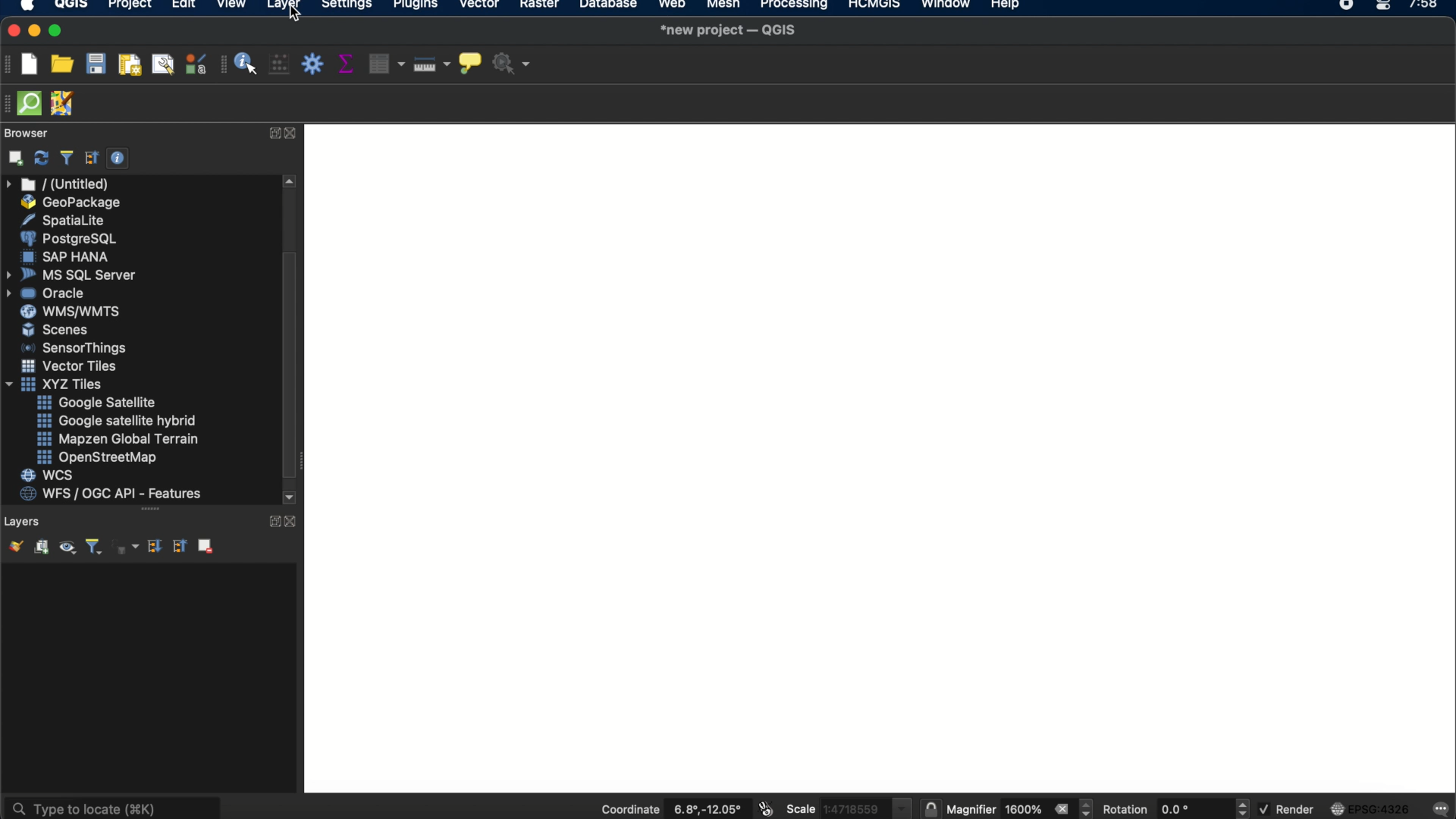 The height and width of the screenshot is (819, 1456). I want to click on lock the scale to use the magnifier, so click(929, 807).